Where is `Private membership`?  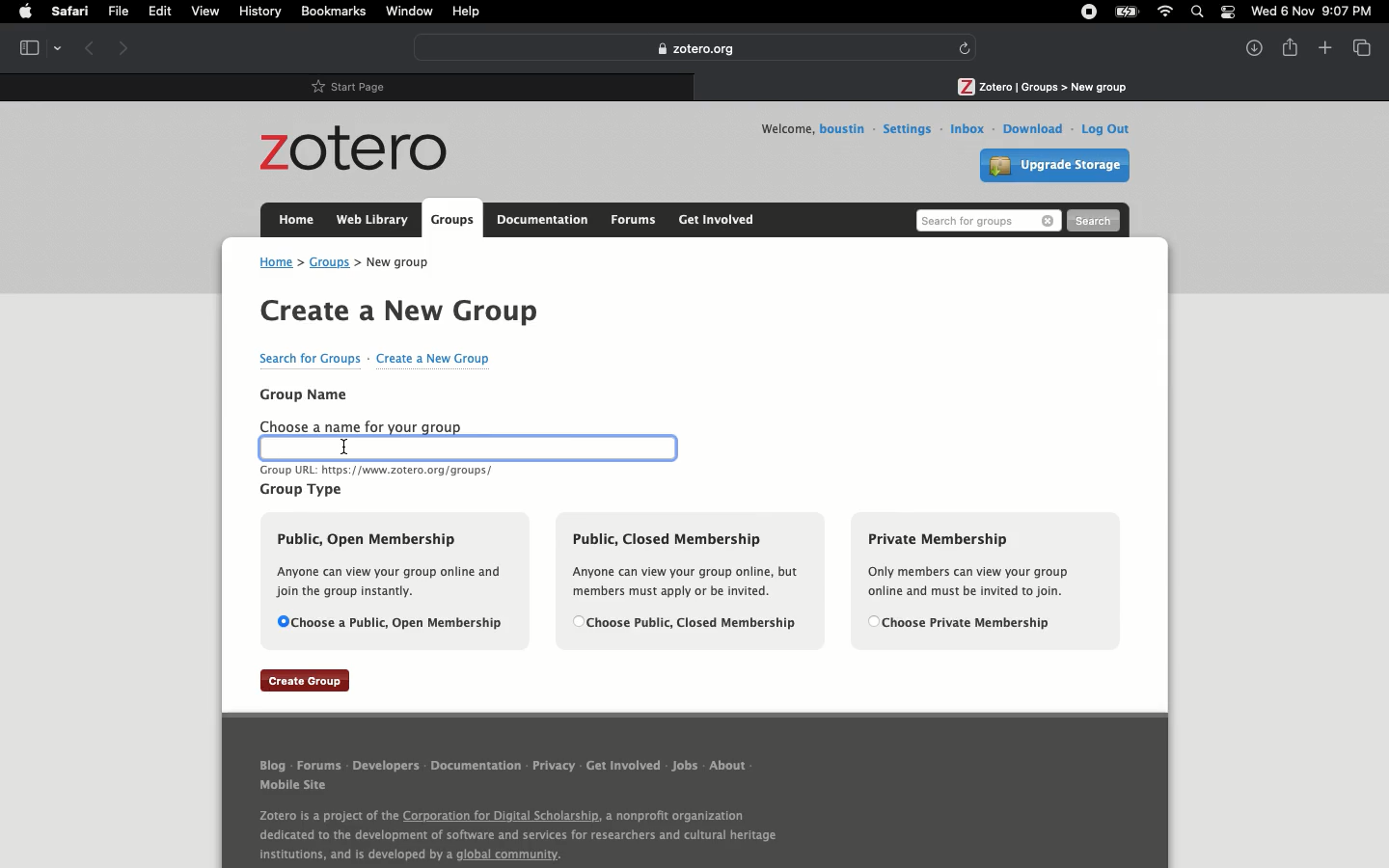
Private membership is located at coordinates (976, 580).